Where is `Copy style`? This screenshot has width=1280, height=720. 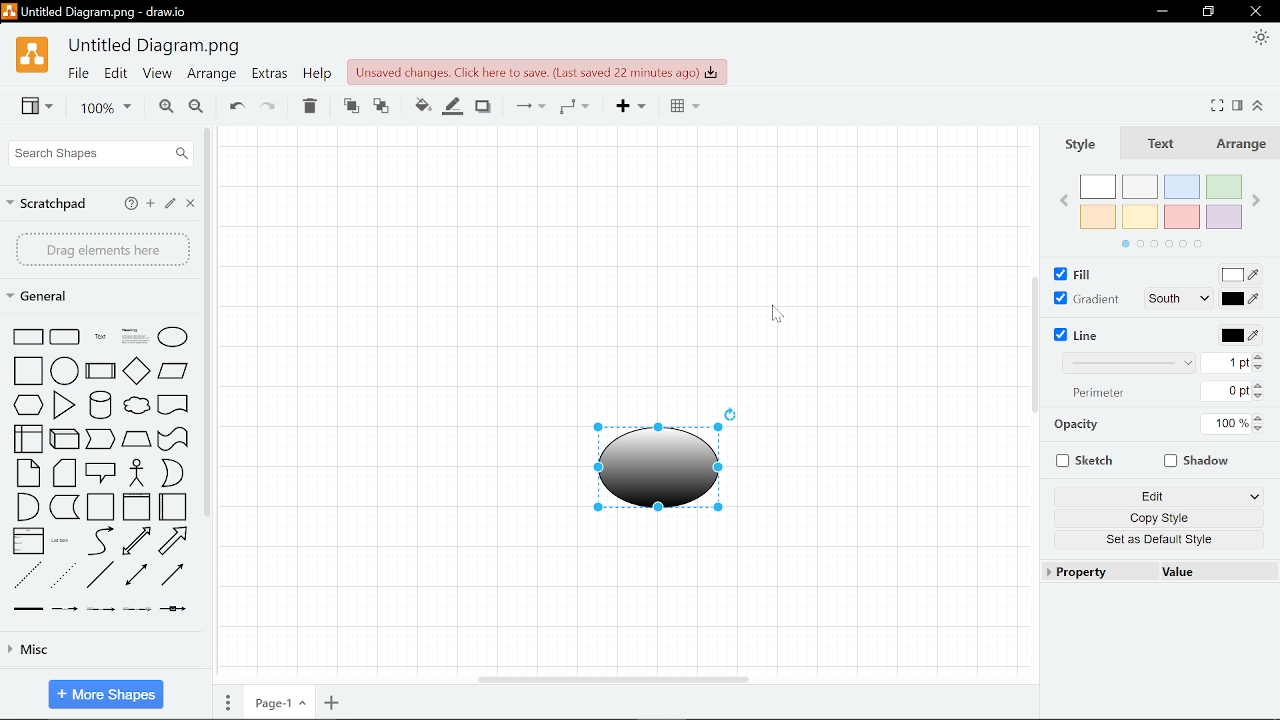
Copy style is located at coordinates (1158, 517).